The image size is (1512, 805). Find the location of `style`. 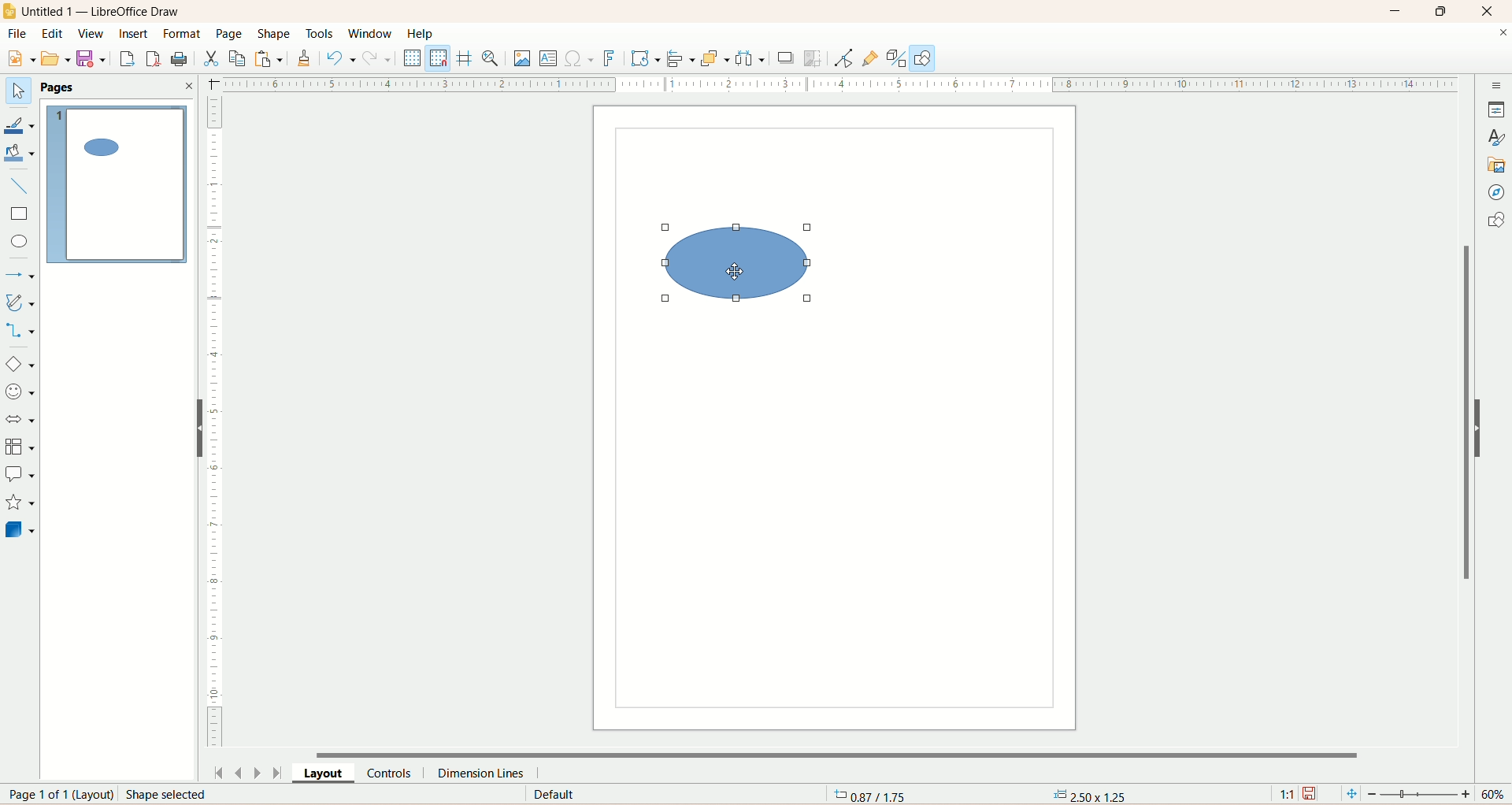

style is located at coordinates (1496, 135).